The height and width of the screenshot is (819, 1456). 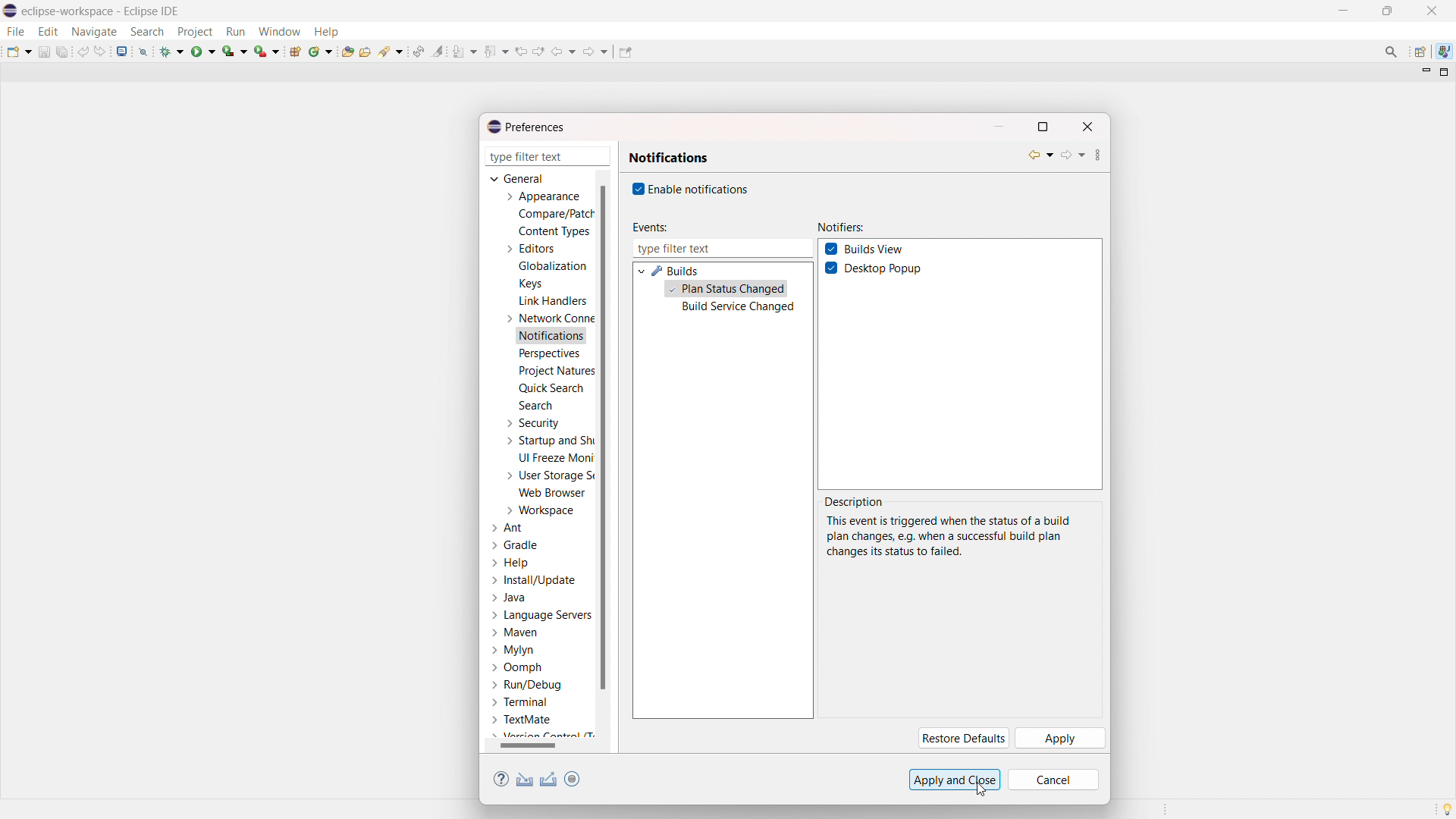 What do you see at coordinates (102, 11) in the screenshot?
I see `title` at bounding box center [102, 11].